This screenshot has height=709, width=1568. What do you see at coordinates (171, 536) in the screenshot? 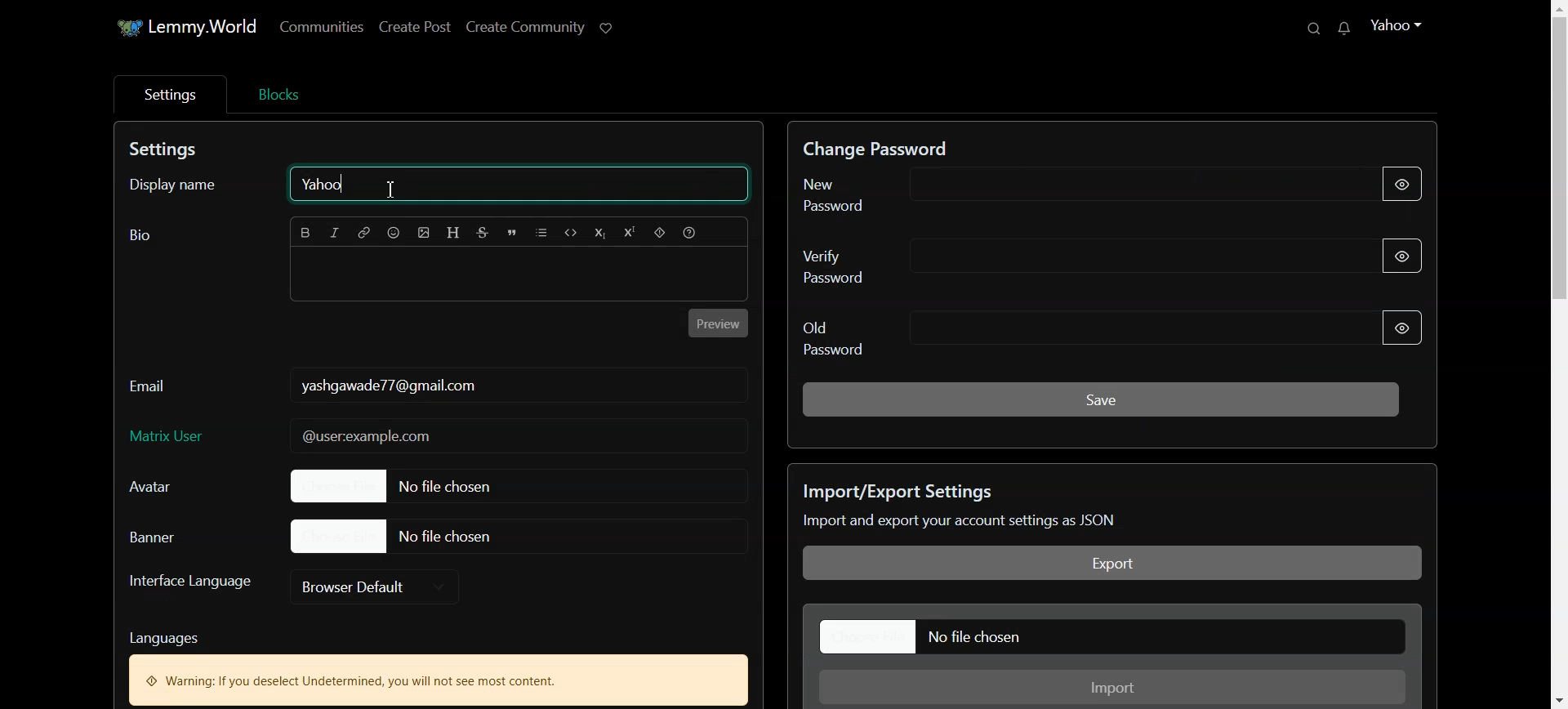
I see `Baner` at bounding box center [171, 536].